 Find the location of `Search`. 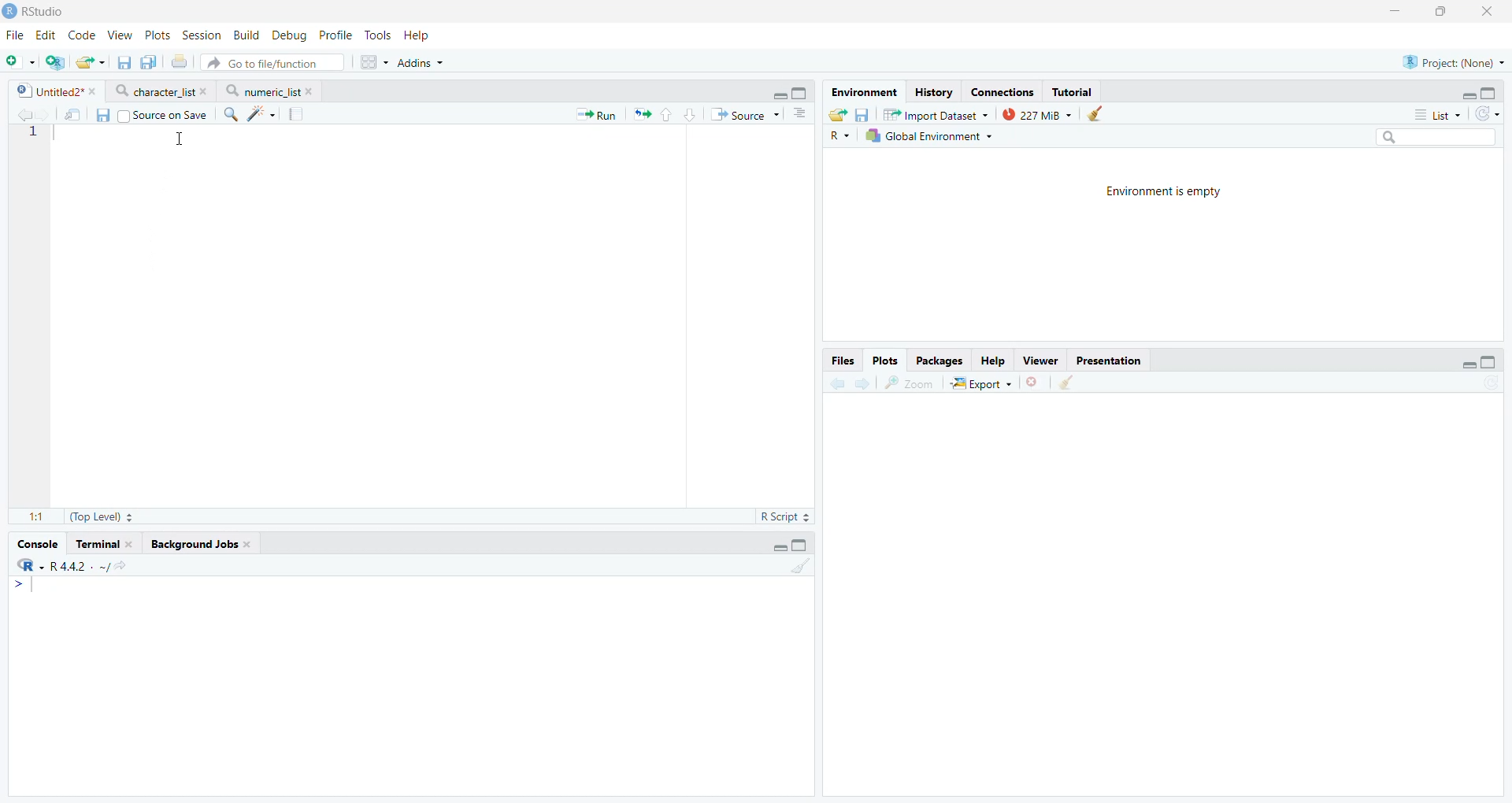

Search is located at coordinates (1434, 137).